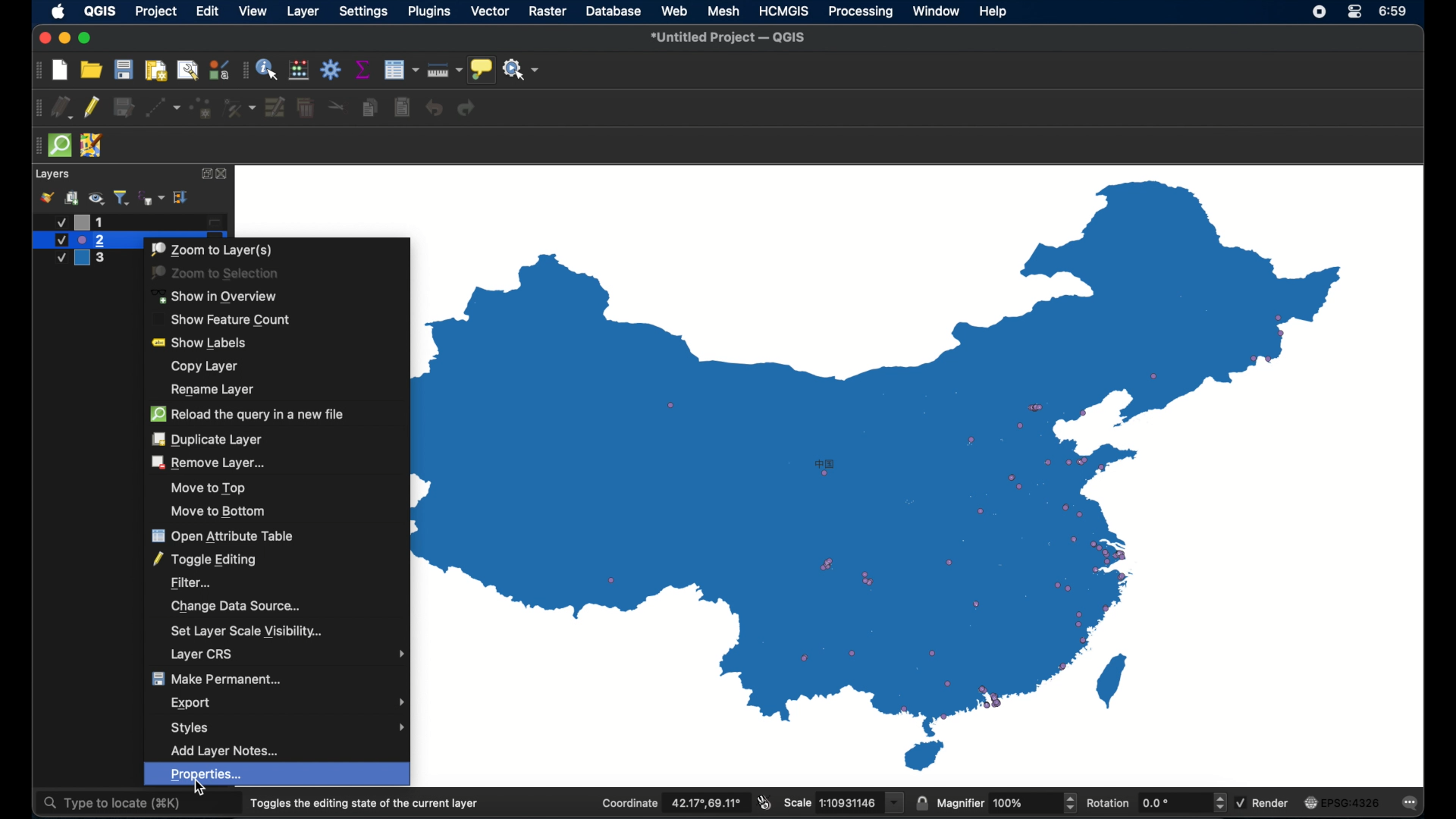 This screenshot has height=819, width=1456. I want to click on vector, so click(489, 11).